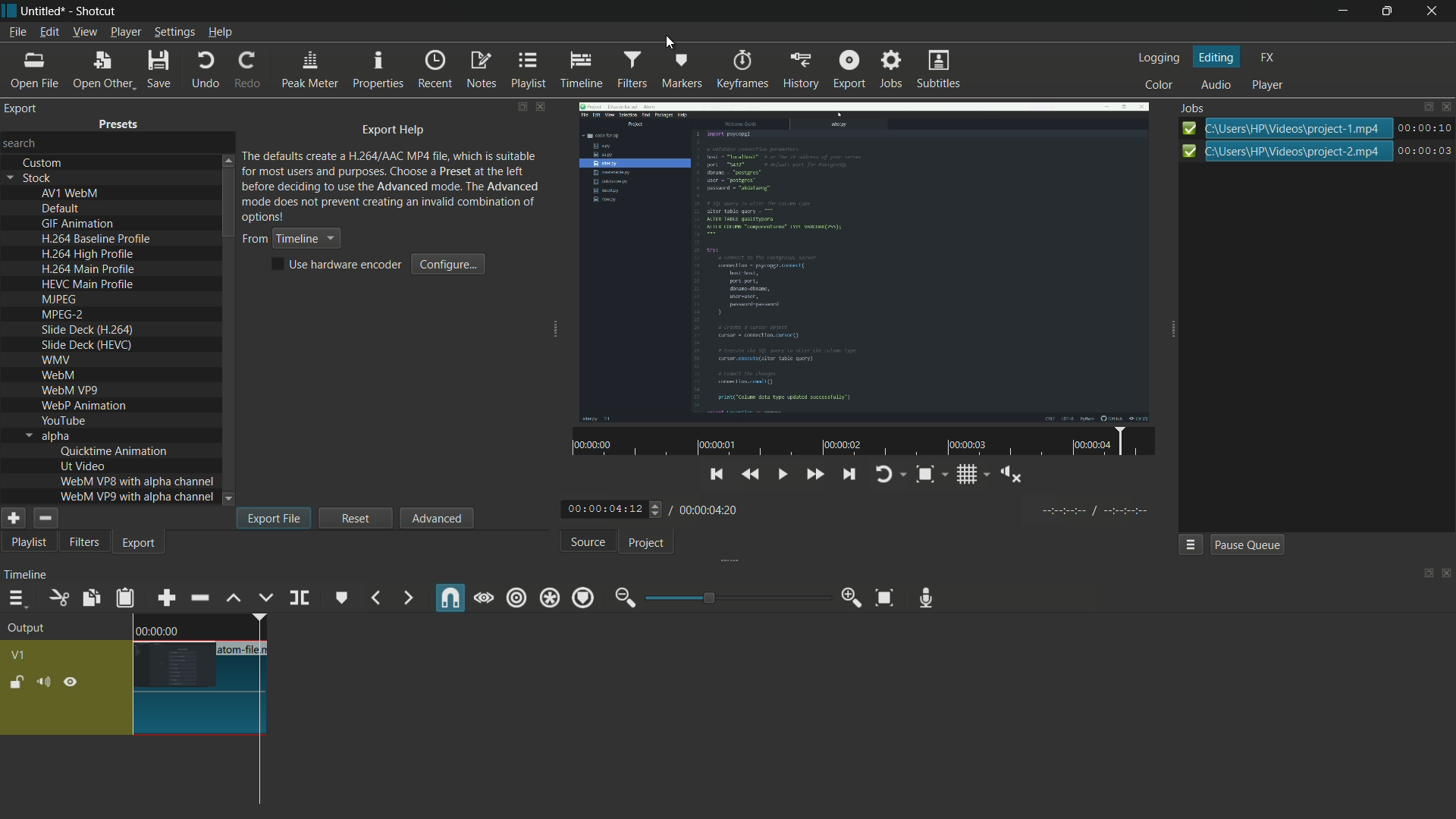 The image size is (1456, 819). What do you see at coordinates (1216, 85) in the screenshot?
I see `audio` at bounding box center [1216, 85].